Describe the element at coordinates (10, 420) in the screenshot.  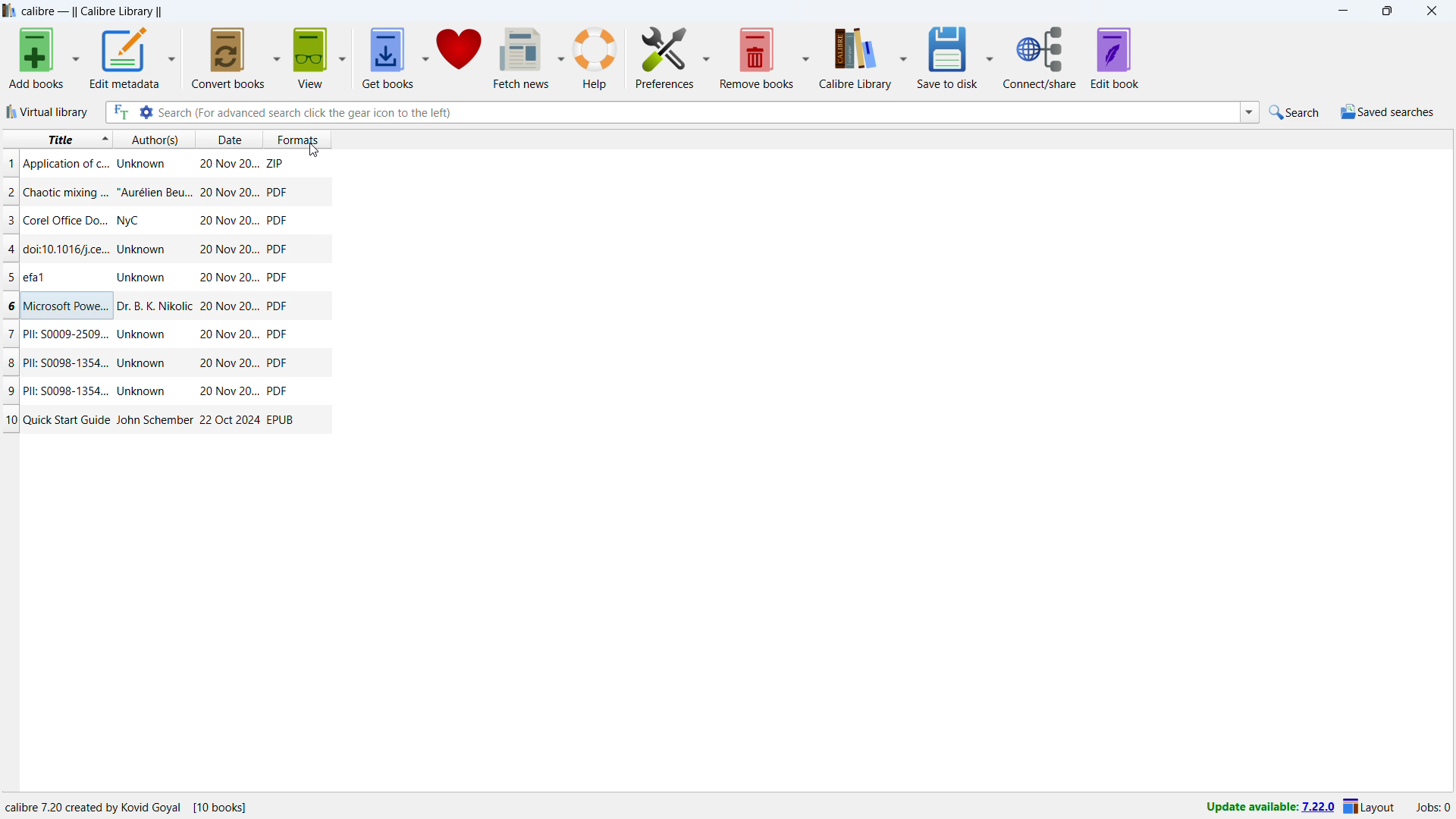
I see `10` at that location.